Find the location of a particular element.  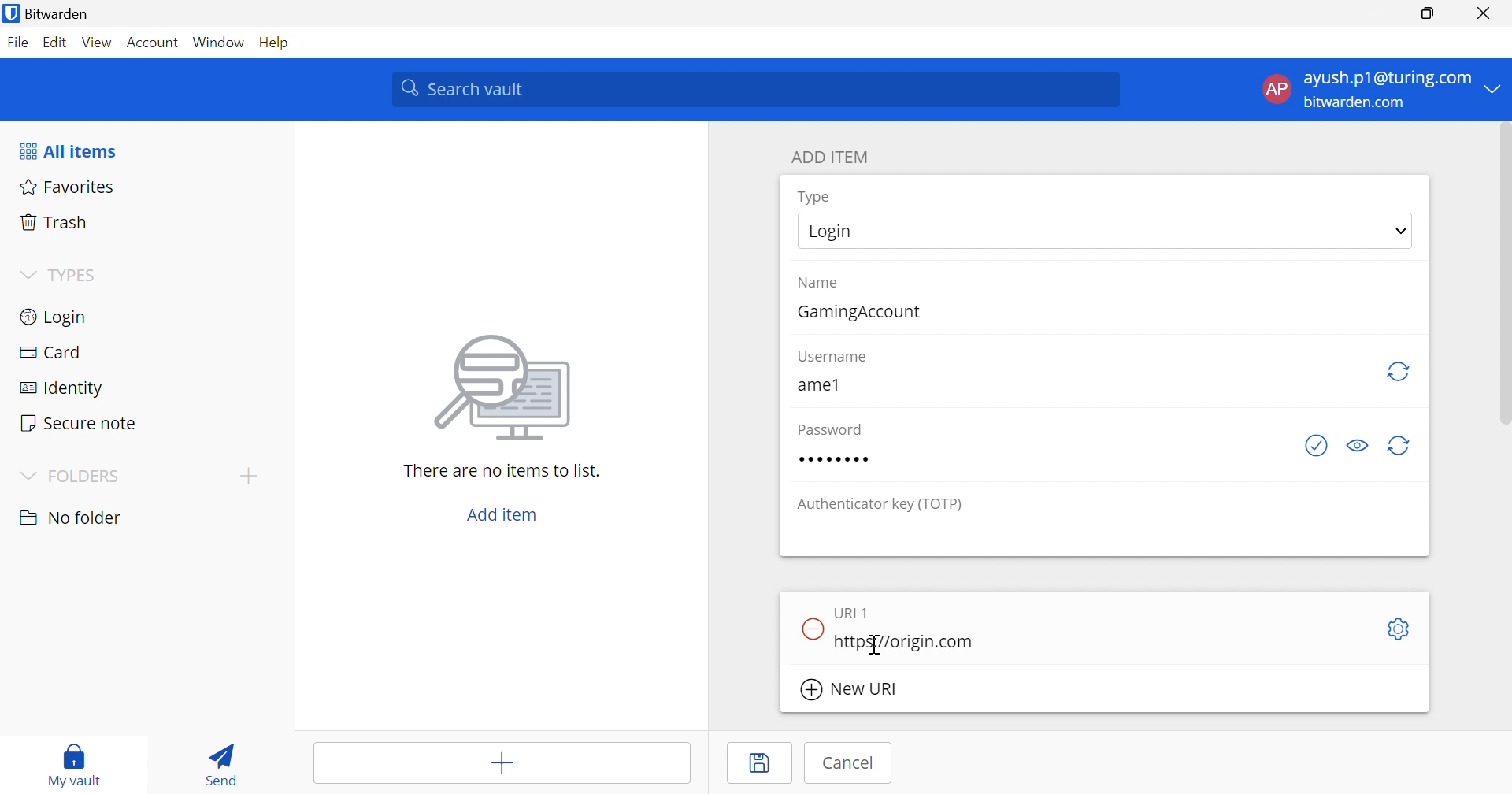

AP is located at coordinates (1277, 88).